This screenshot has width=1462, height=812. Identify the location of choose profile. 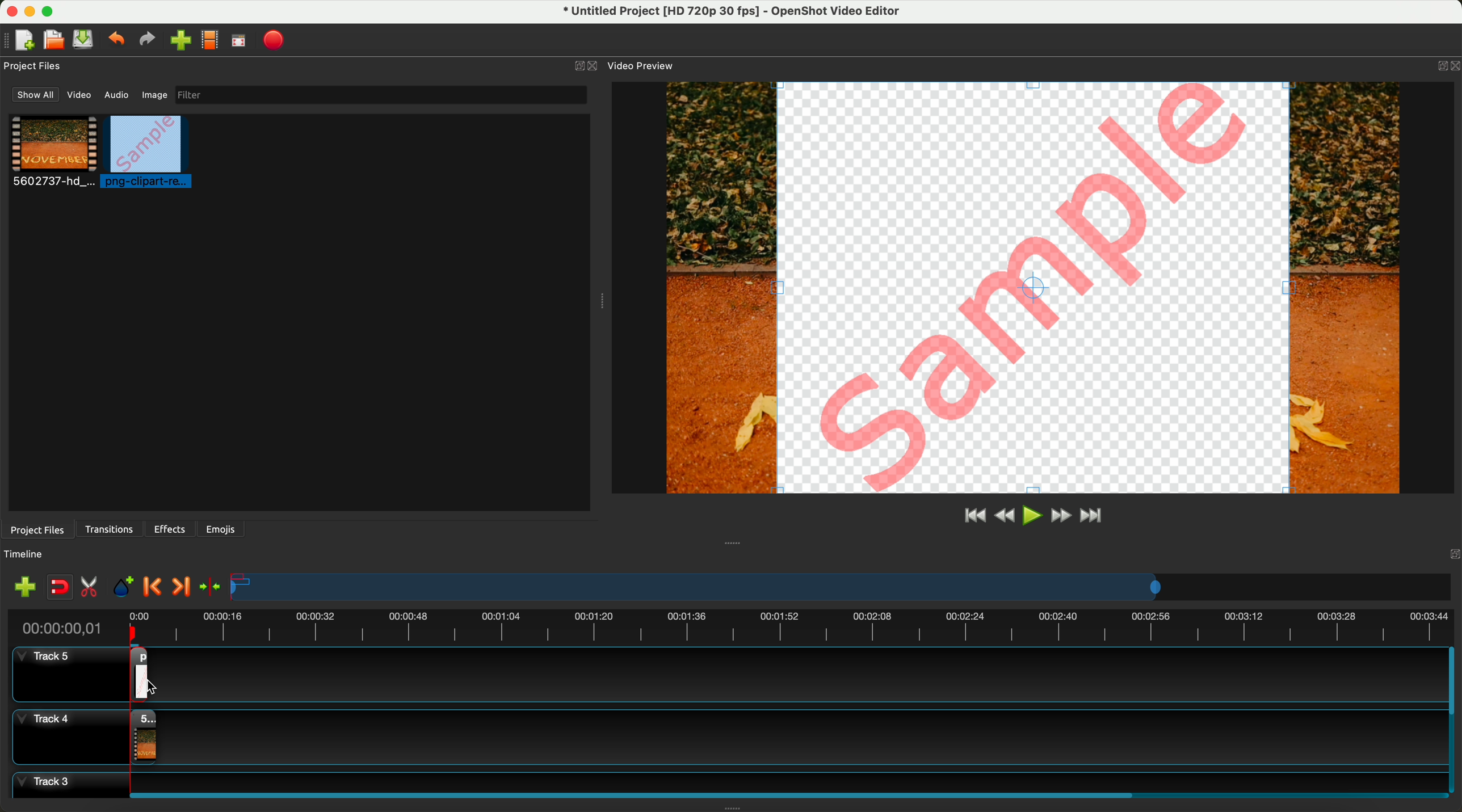
(213, 42).